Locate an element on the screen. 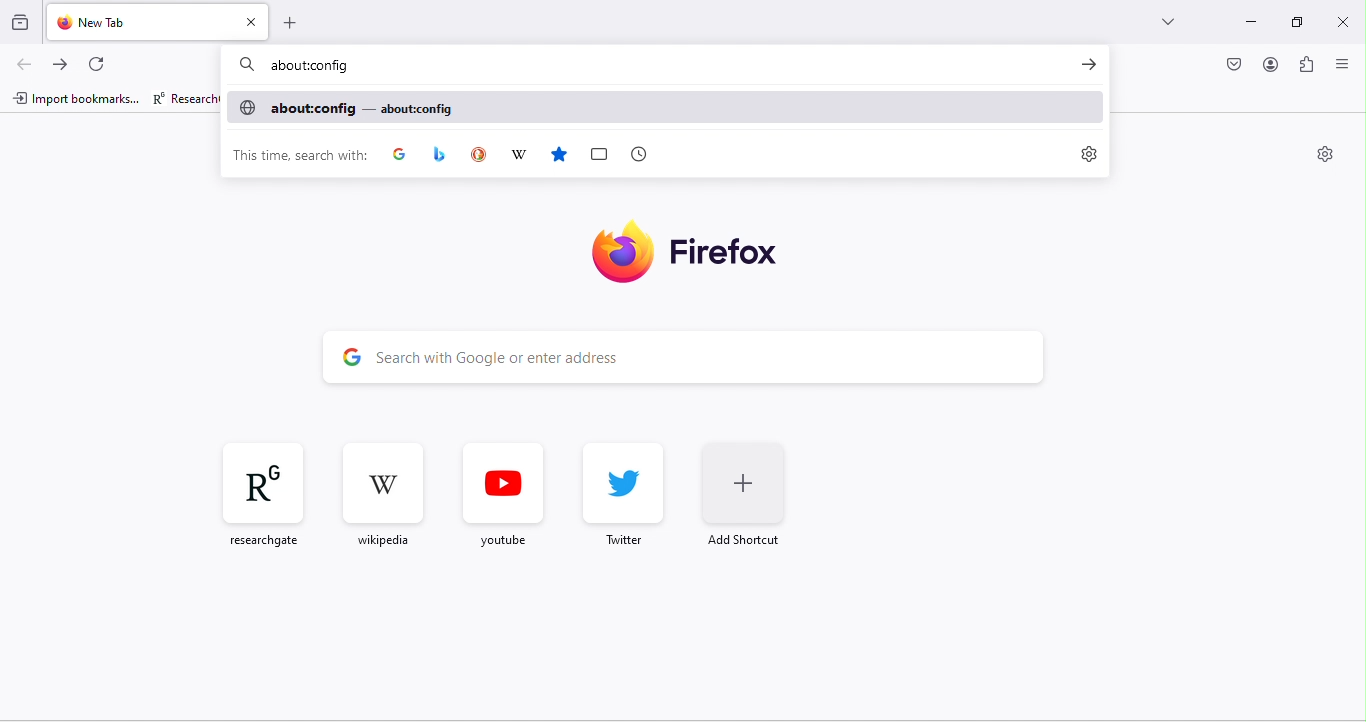 The image size is (1366, 722). maximize is located at coordinates (1296, 21).